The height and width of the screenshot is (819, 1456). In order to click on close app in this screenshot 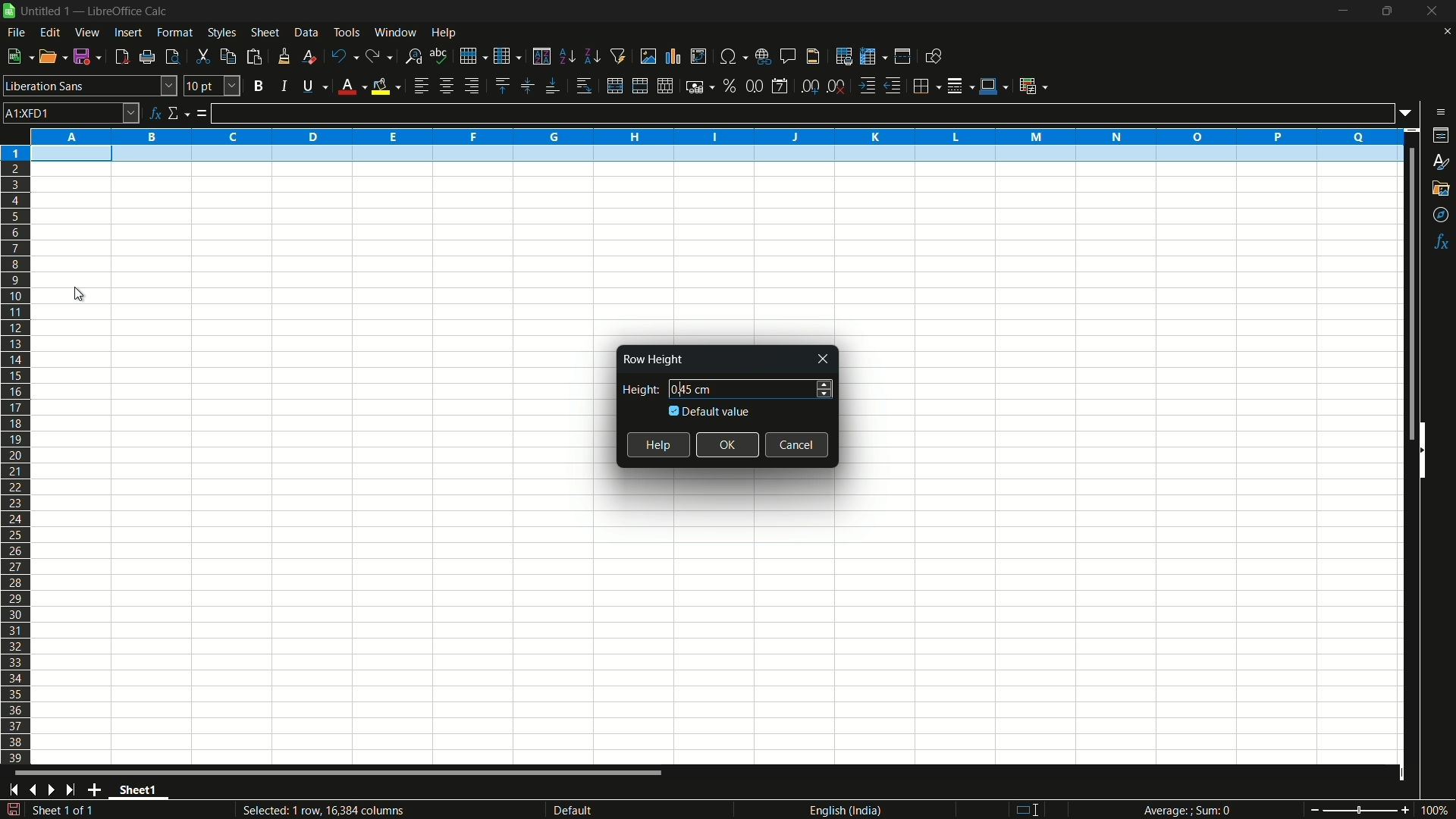, I will do `click(1428, 11)`.